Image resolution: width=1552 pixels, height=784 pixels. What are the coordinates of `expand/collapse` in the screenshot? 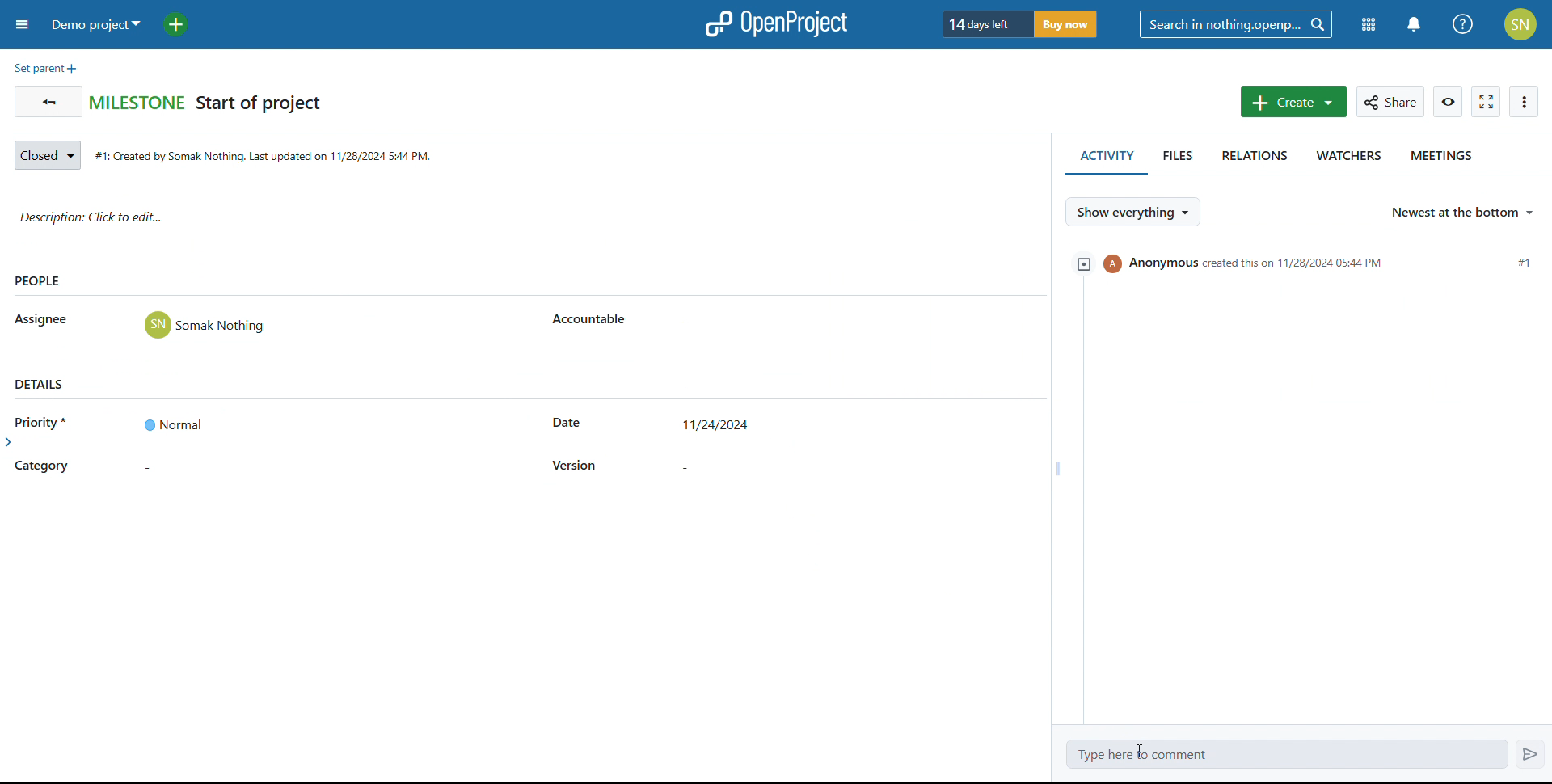 It's located at (1081, 263).